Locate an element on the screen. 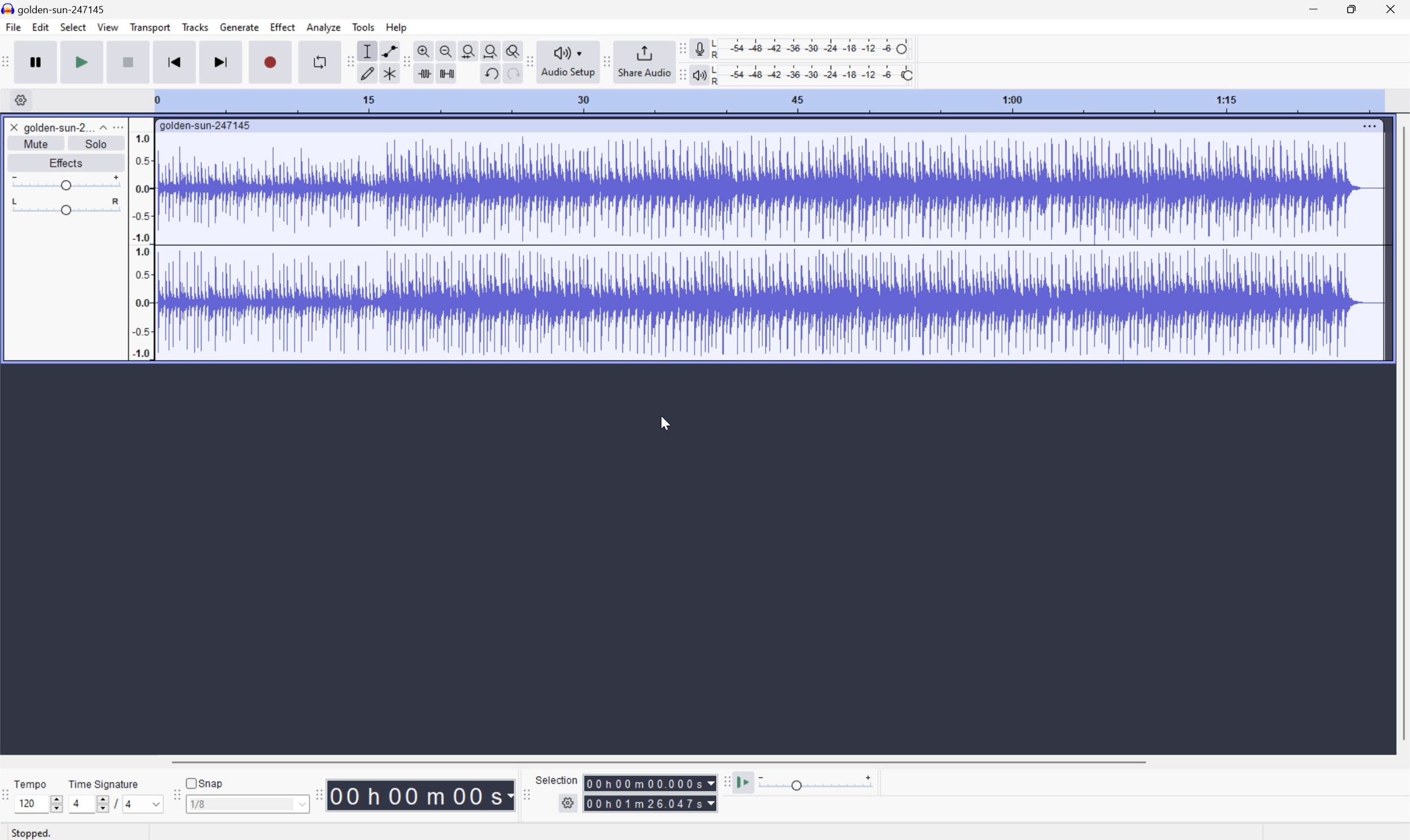  4 is located at coordinates (87, 804).